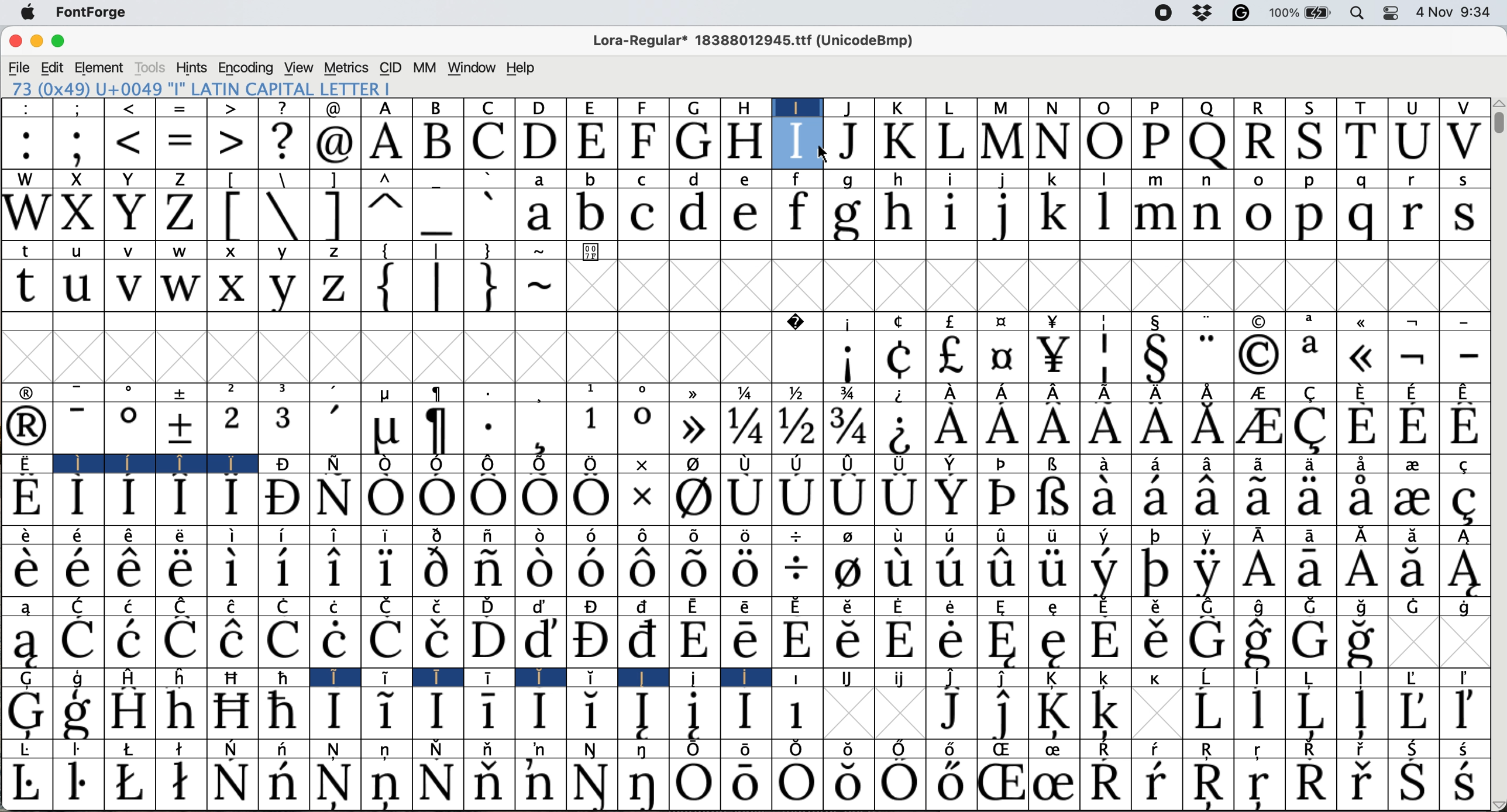 Image resolution: width=1507 pixels, height=812 pixels. I want to click on V, so click(1464, 142).